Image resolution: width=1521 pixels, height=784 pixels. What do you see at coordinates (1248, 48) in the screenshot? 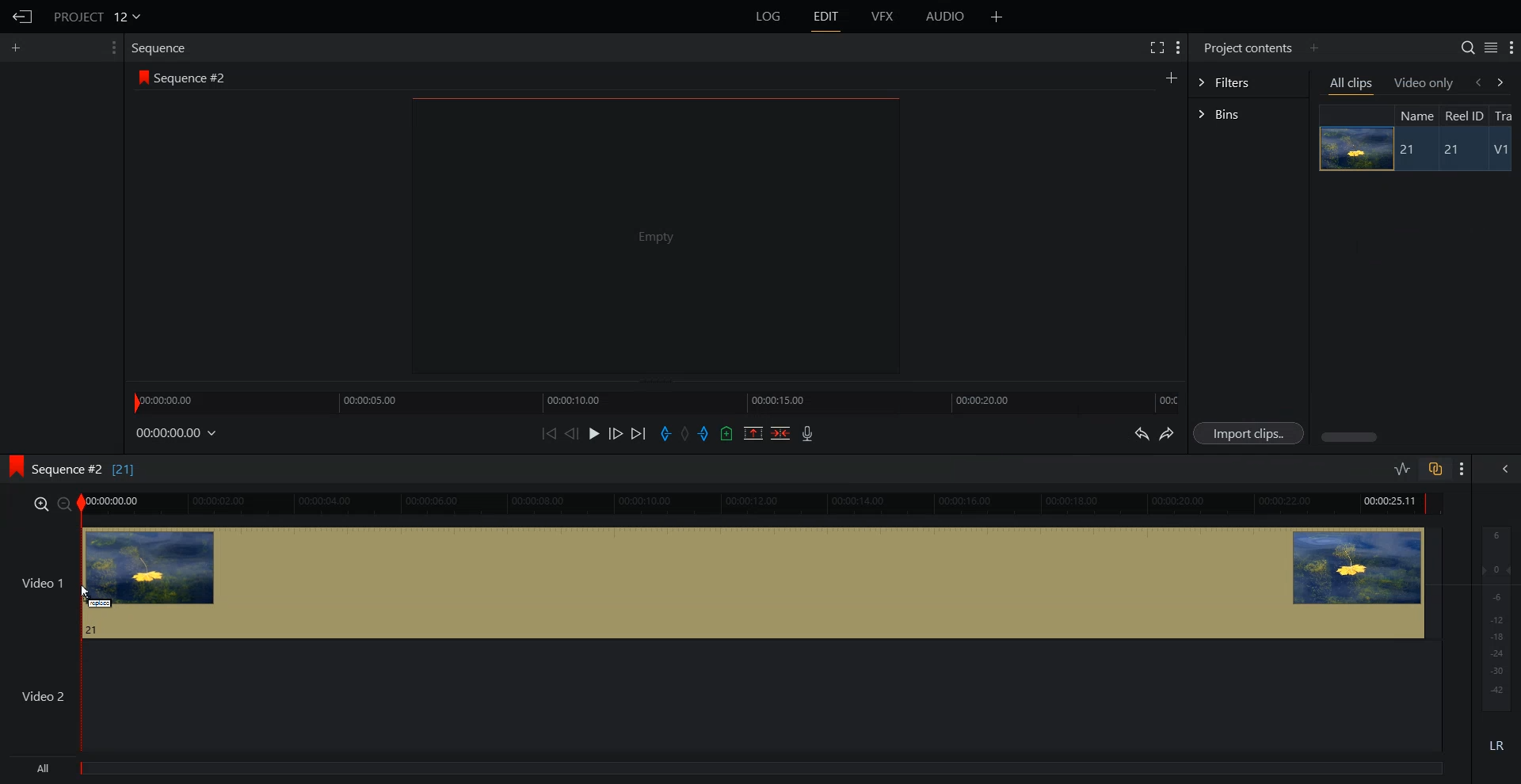
I see `Project contents` at bounding box center [1248, 48].